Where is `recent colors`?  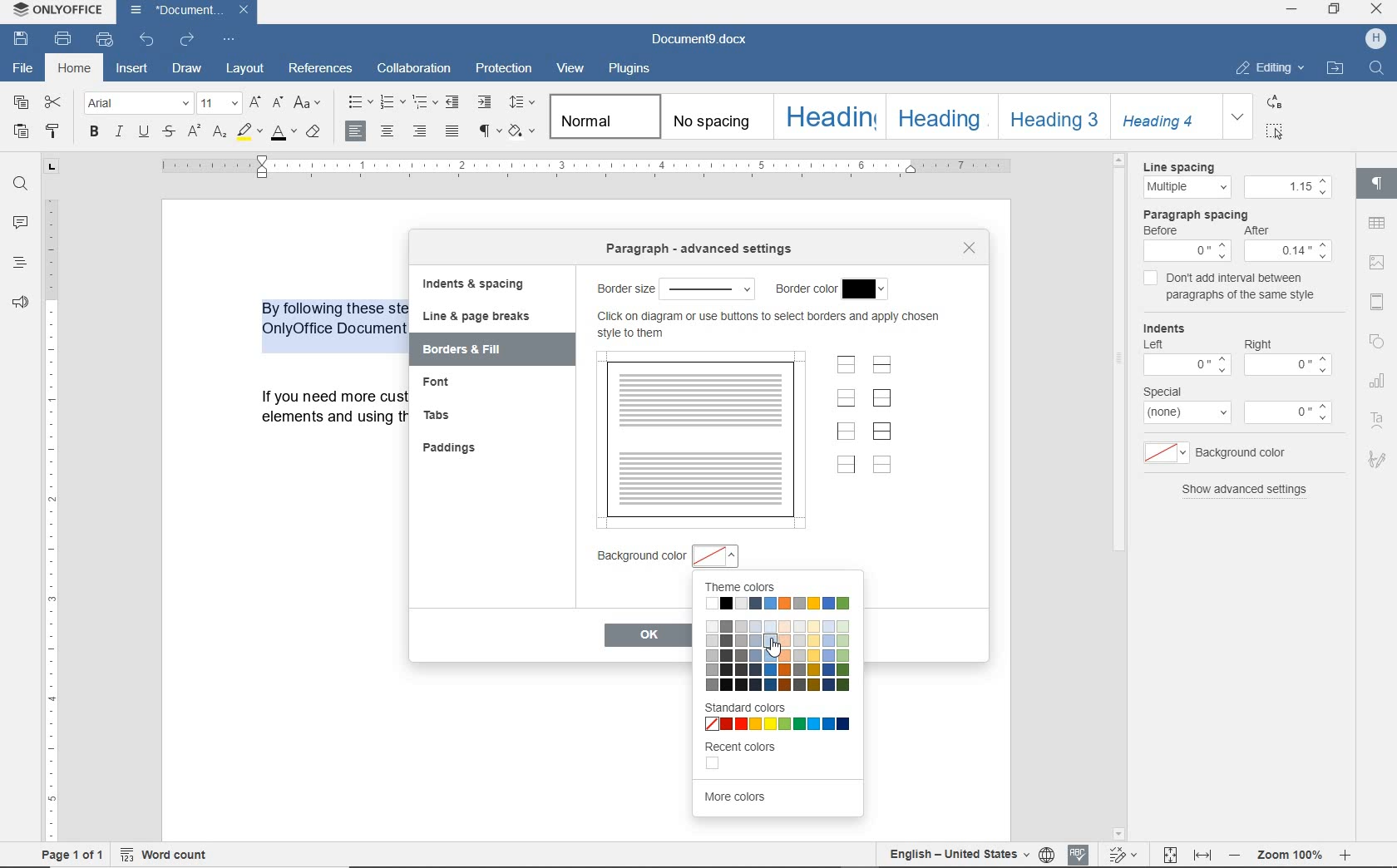 recent colors is located at coordinates (742, 747).